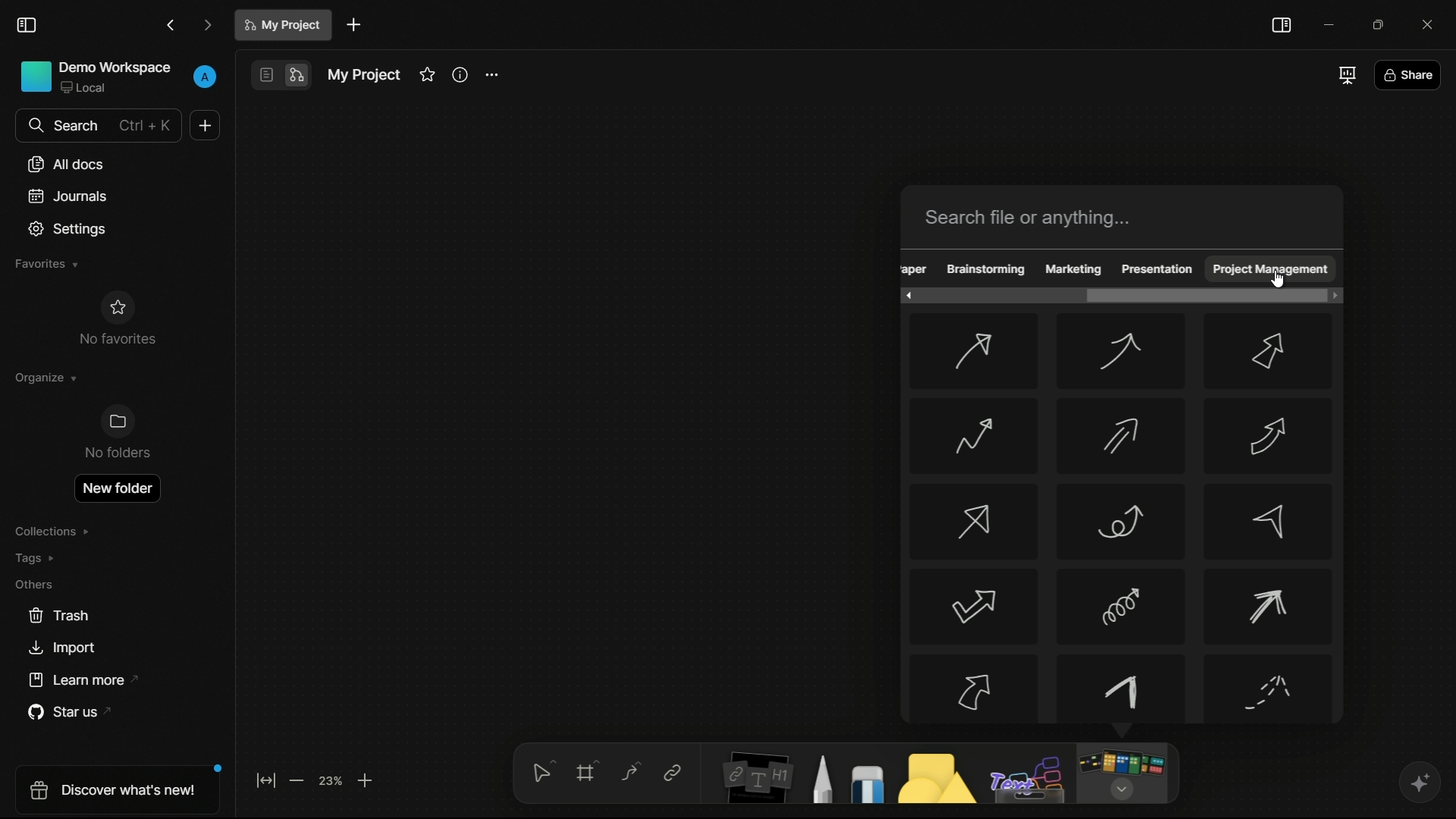 This screenshot has width=1456, height=819. What do you see at coordinates (821, 778) in the screenshot?
I see `pencil and pen` at bounding box center [821, 778].